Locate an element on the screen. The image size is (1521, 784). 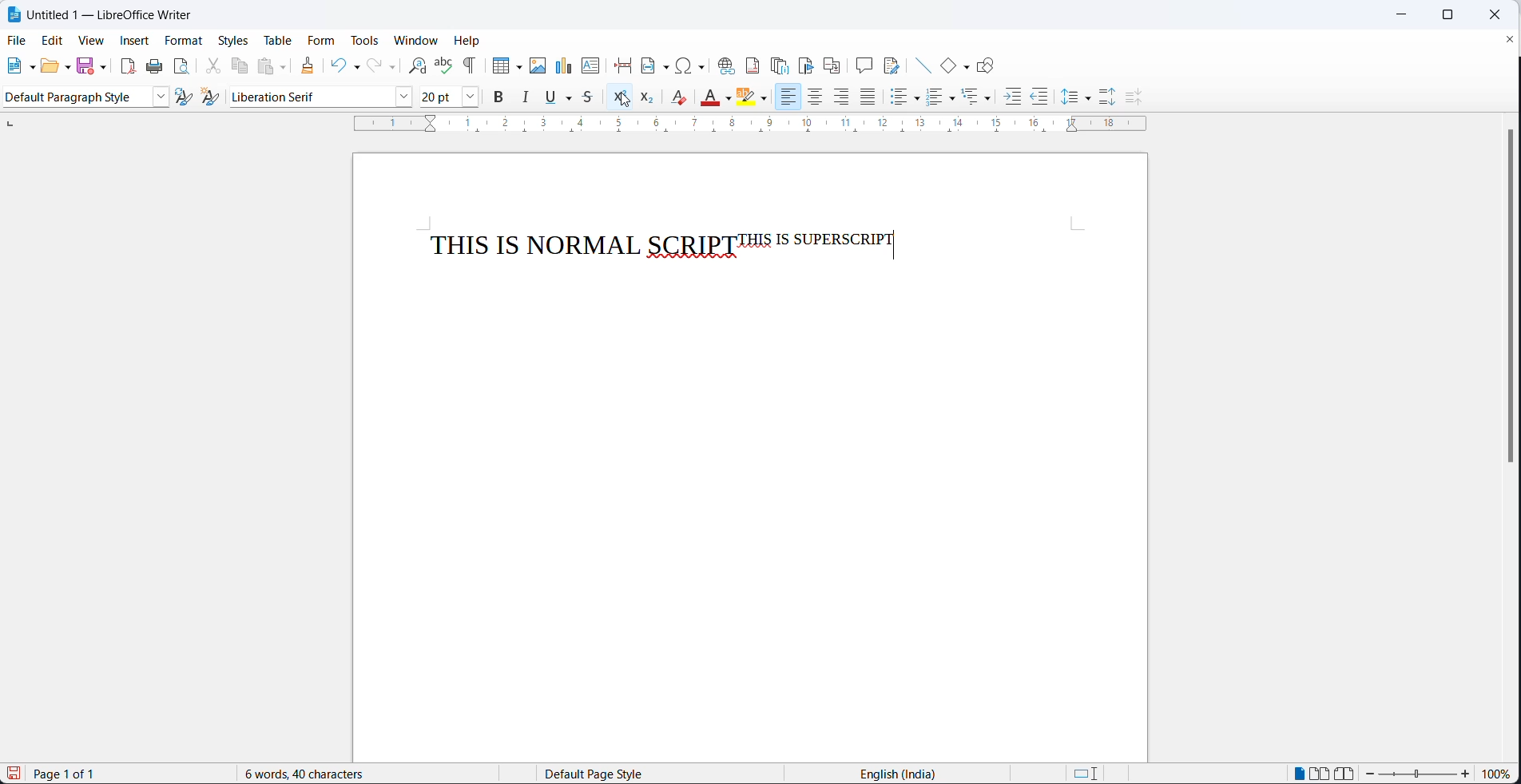
character highlight is located at coordinates (748, 97).